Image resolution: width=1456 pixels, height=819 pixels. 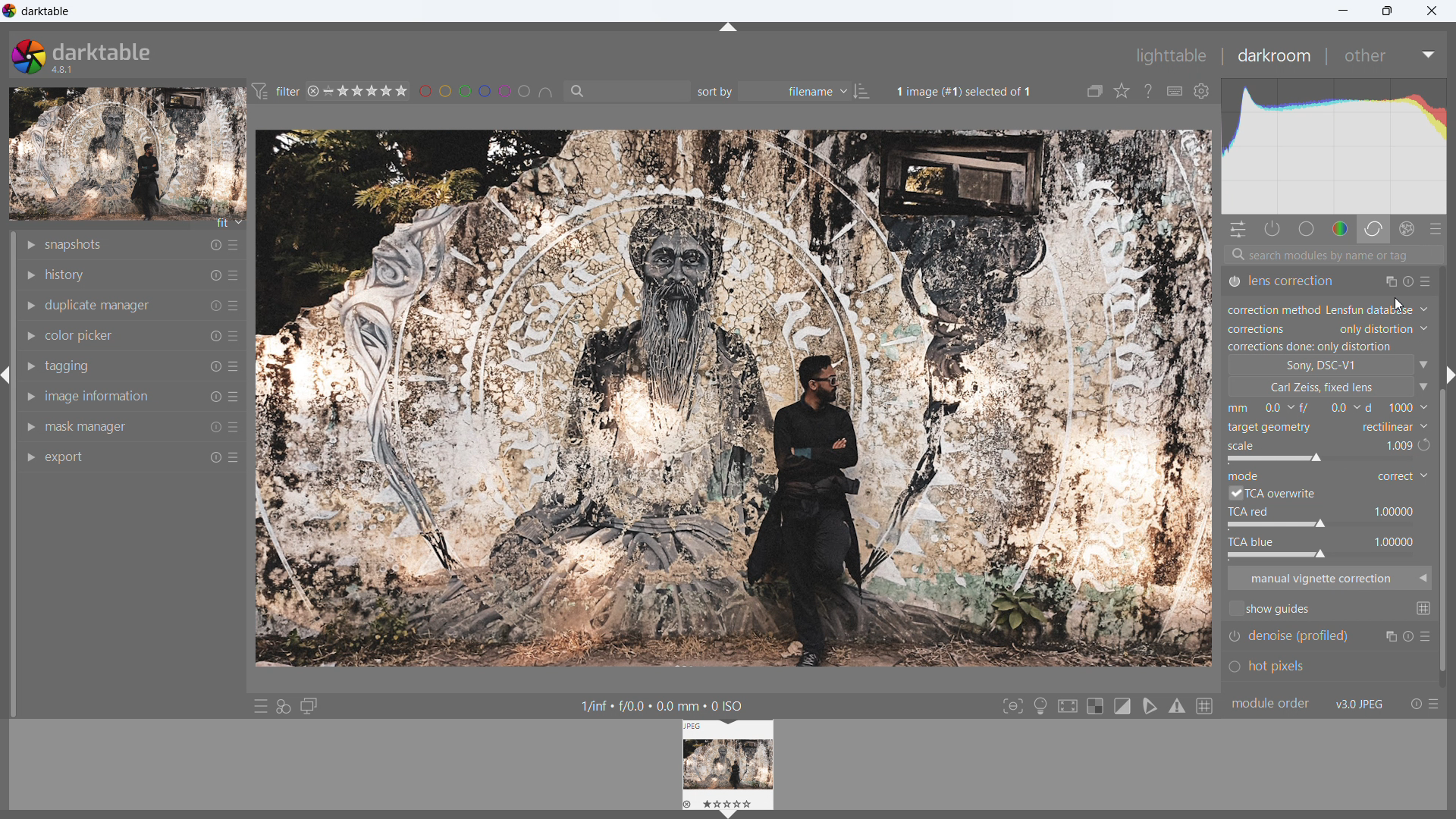 I want to click on show module, so click(x=30, y=273).